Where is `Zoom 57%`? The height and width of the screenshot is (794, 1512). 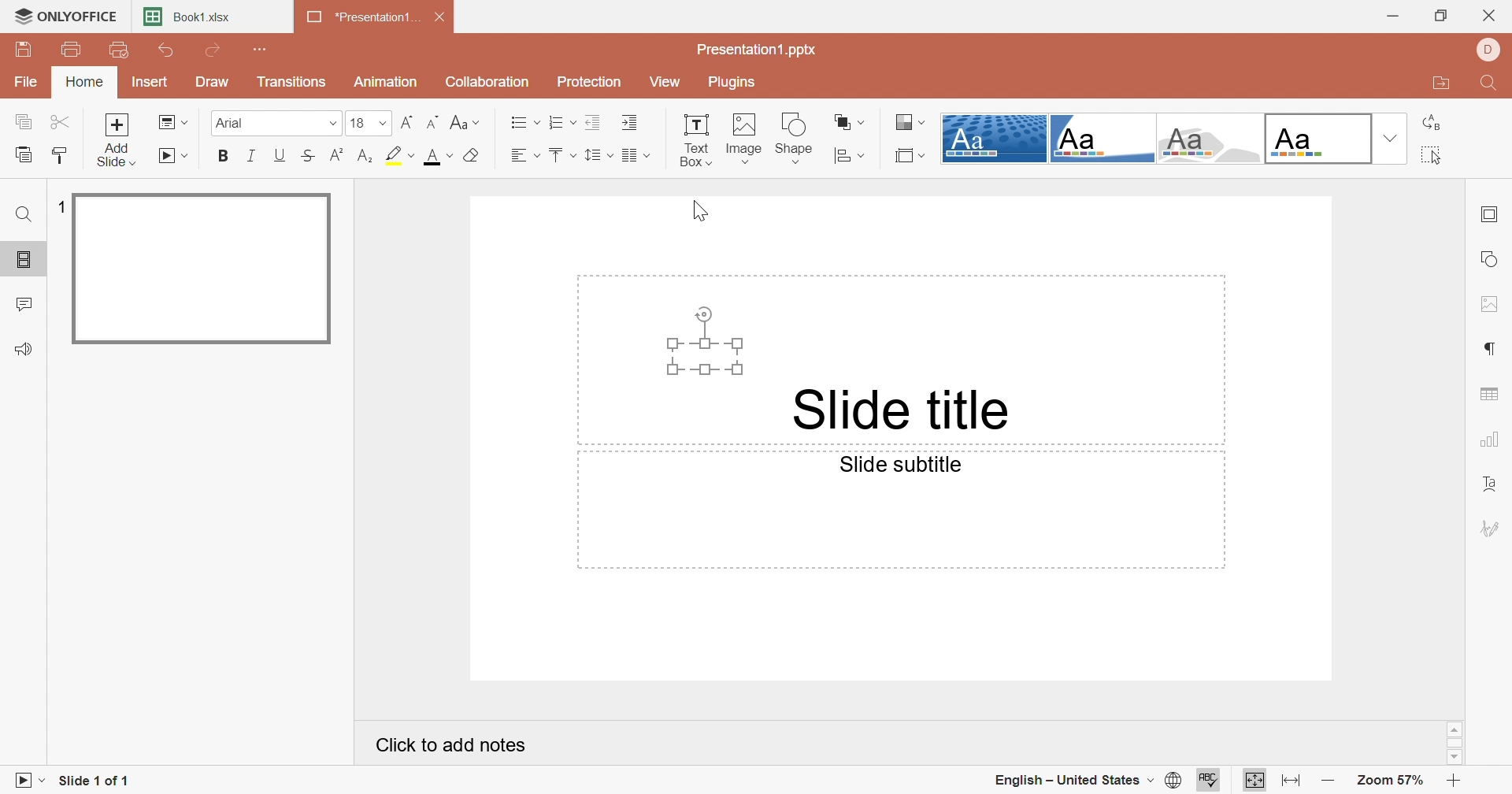
Zoom 57% is located at coordinates (1392, 780).